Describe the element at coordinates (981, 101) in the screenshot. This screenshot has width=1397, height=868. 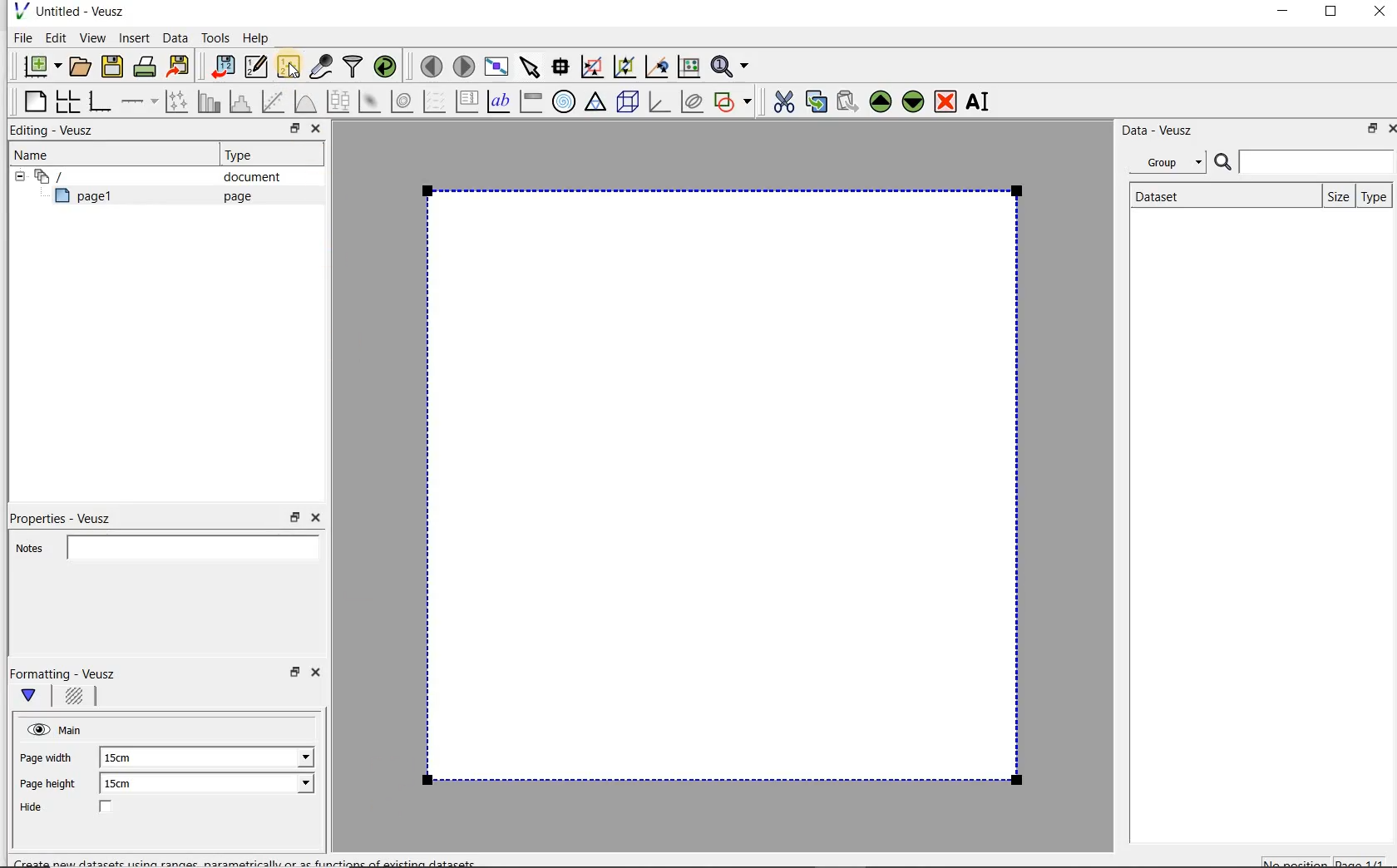
I see `rename the selected widget` at that location.